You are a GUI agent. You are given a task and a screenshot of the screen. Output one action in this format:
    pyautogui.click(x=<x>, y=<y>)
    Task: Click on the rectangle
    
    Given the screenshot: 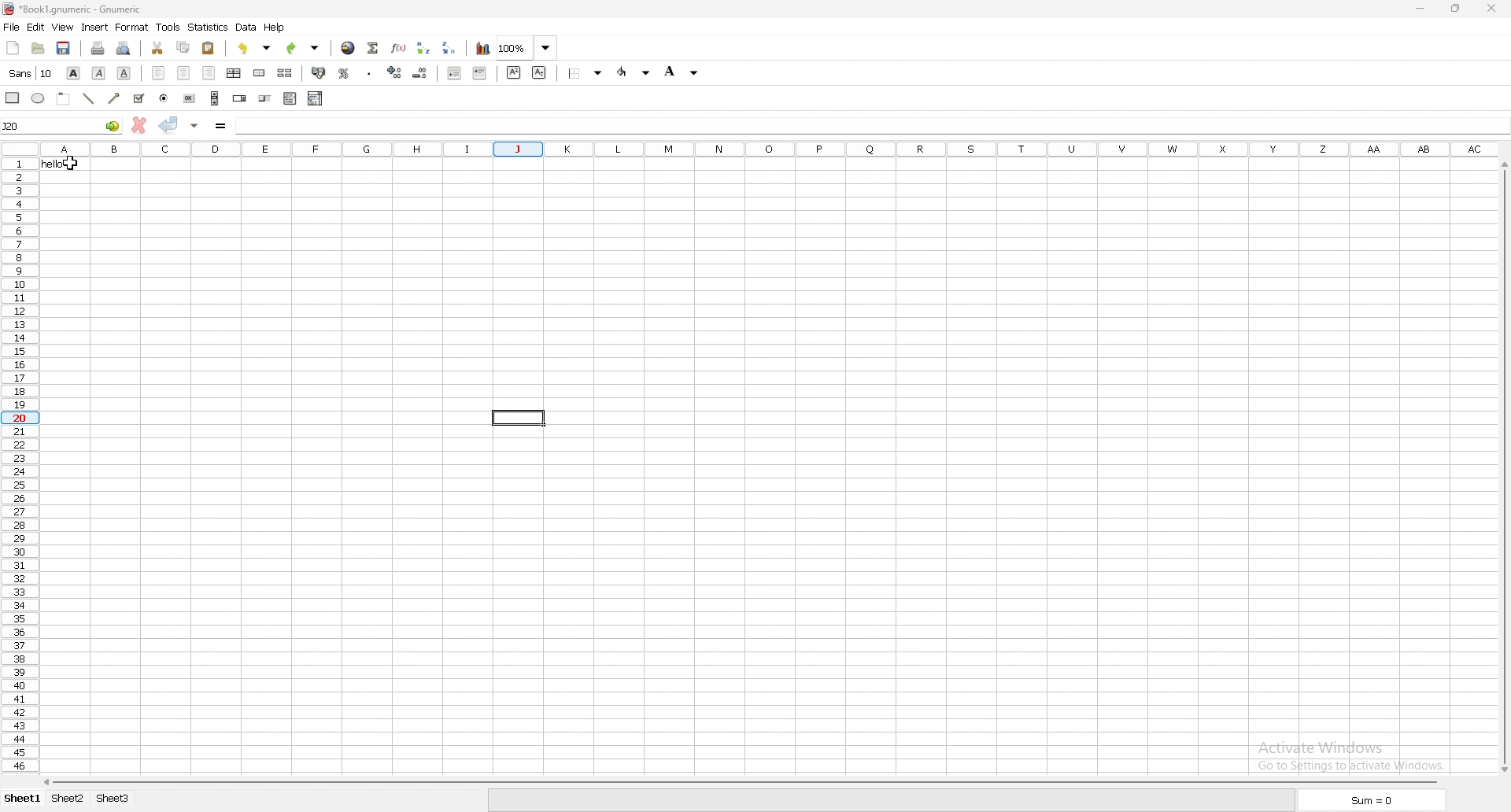 What is the action you would take?
    pyautogui.click(x=13, y=97)
    